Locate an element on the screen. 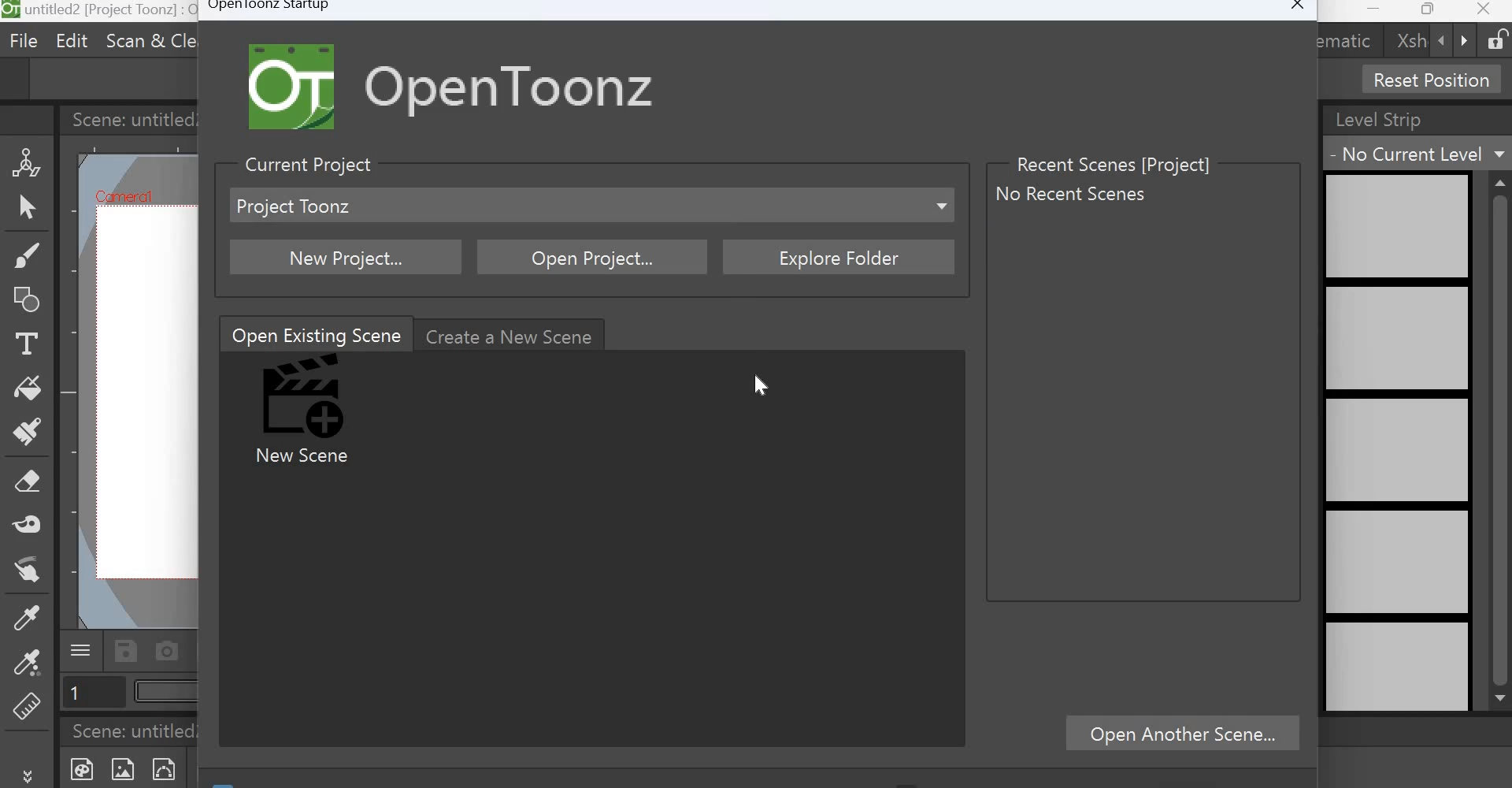  Paint brush tool is located at coordinates (28, 433).